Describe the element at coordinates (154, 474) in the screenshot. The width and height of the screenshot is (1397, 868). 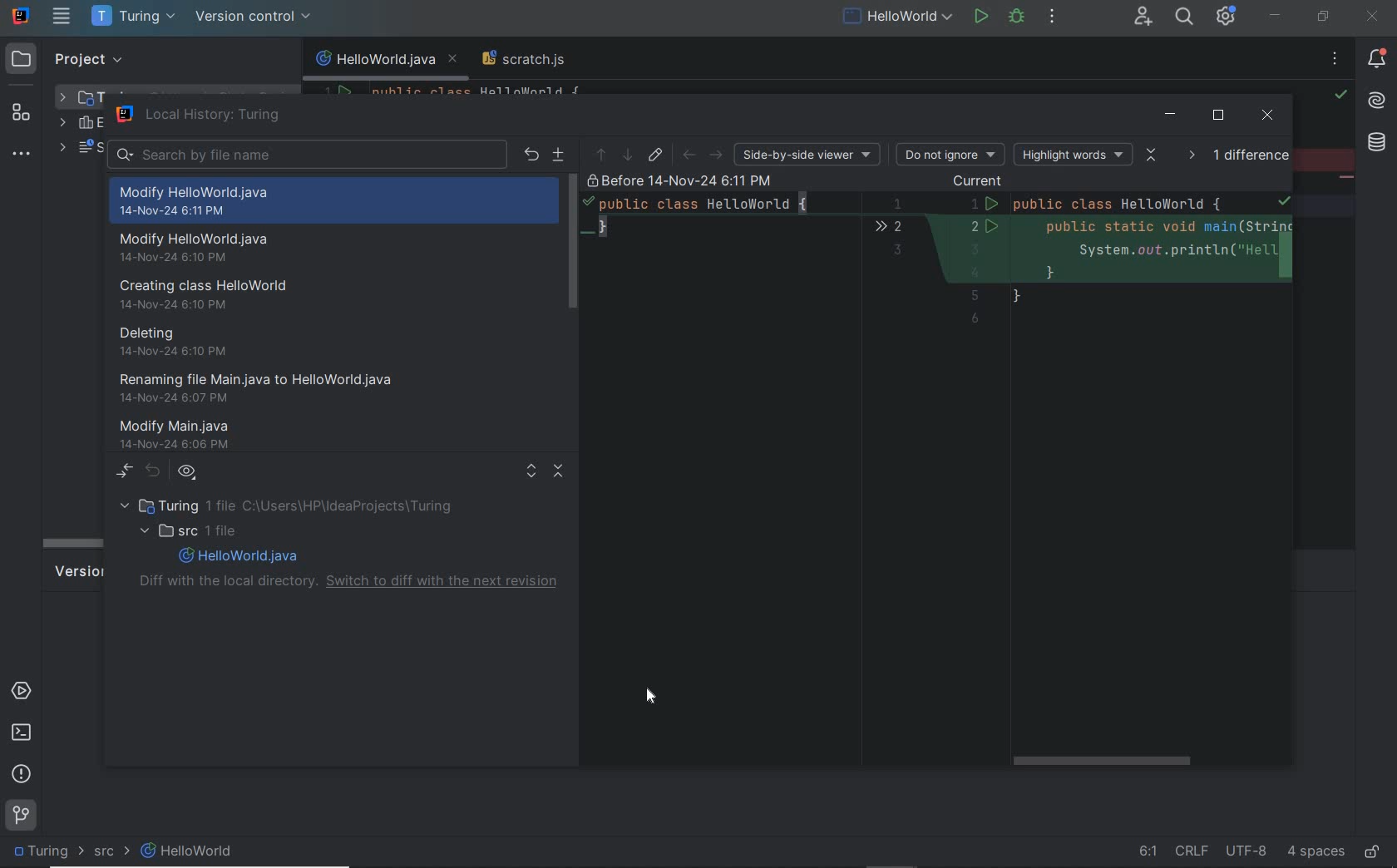
I see `revert selection` at that location.